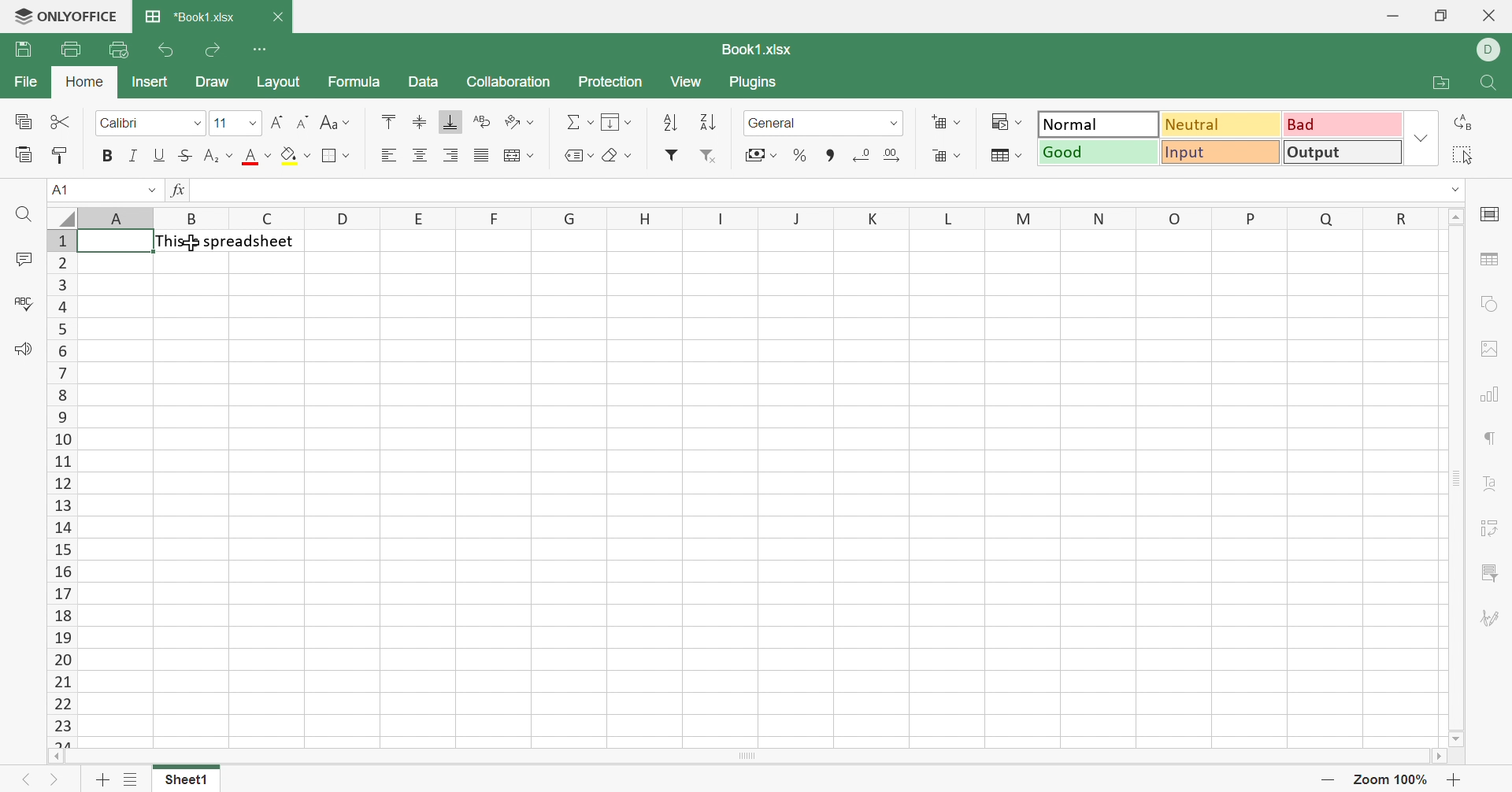  Describe the element at coordinates (688, 80) in the screenshot. I see `View` at that location.